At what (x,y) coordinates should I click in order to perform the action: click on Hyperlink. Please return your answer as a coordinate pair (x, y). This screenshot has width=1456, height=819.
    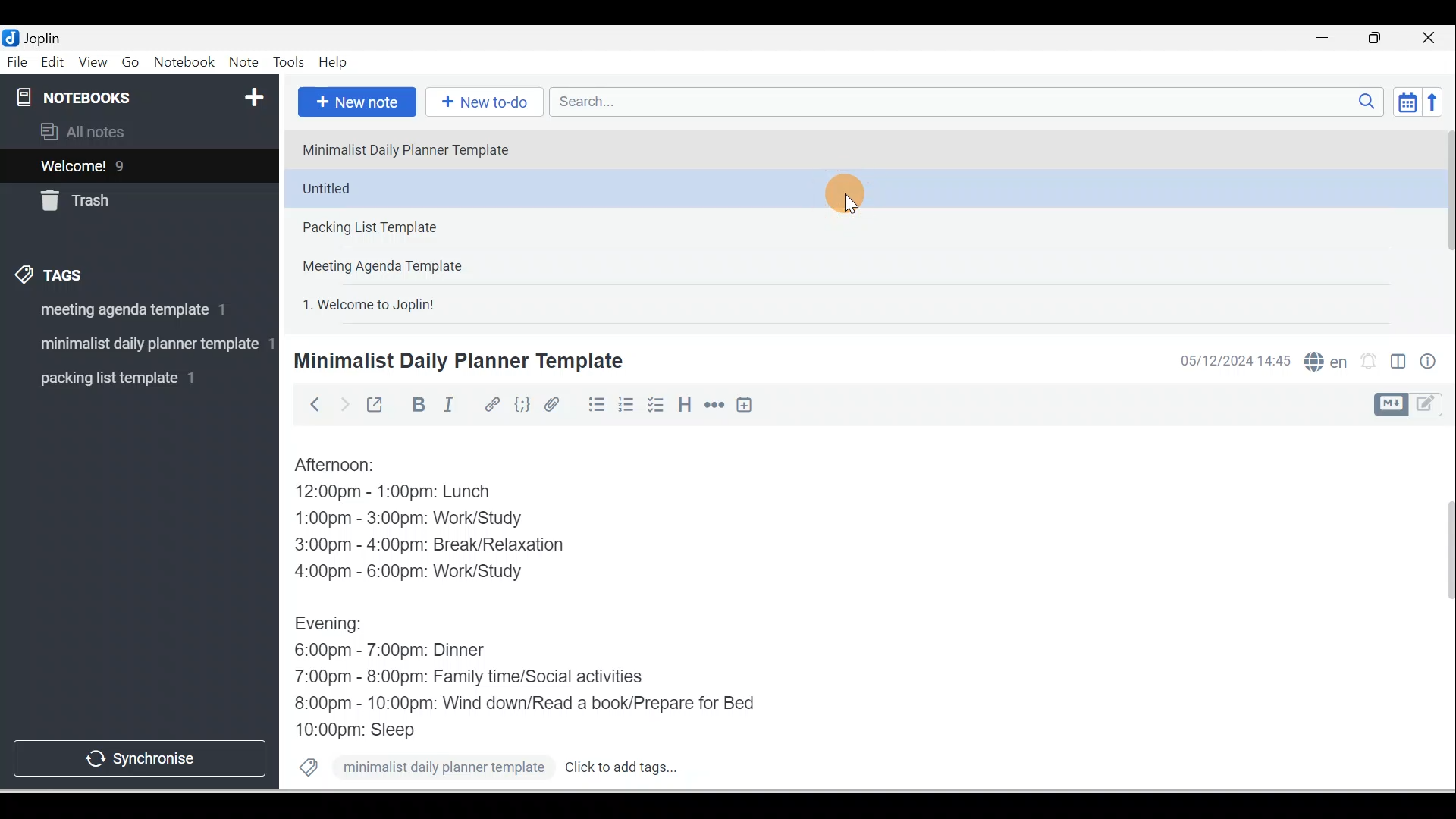
    Looking at the image, I should click on (491, 406).